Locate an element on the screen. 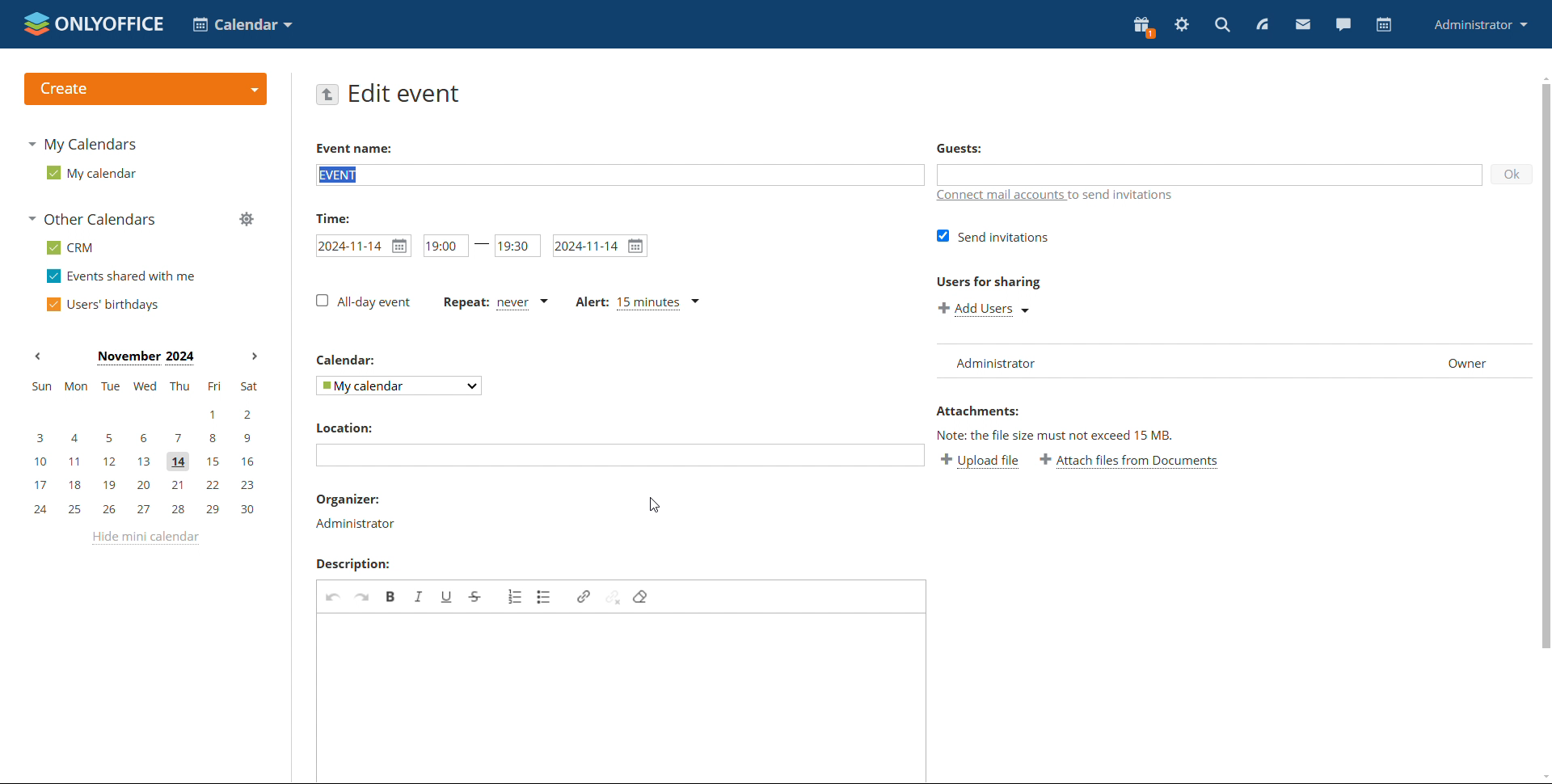 This screenshot has width=1552, height=784. end date is located at coordinates (599, 246).